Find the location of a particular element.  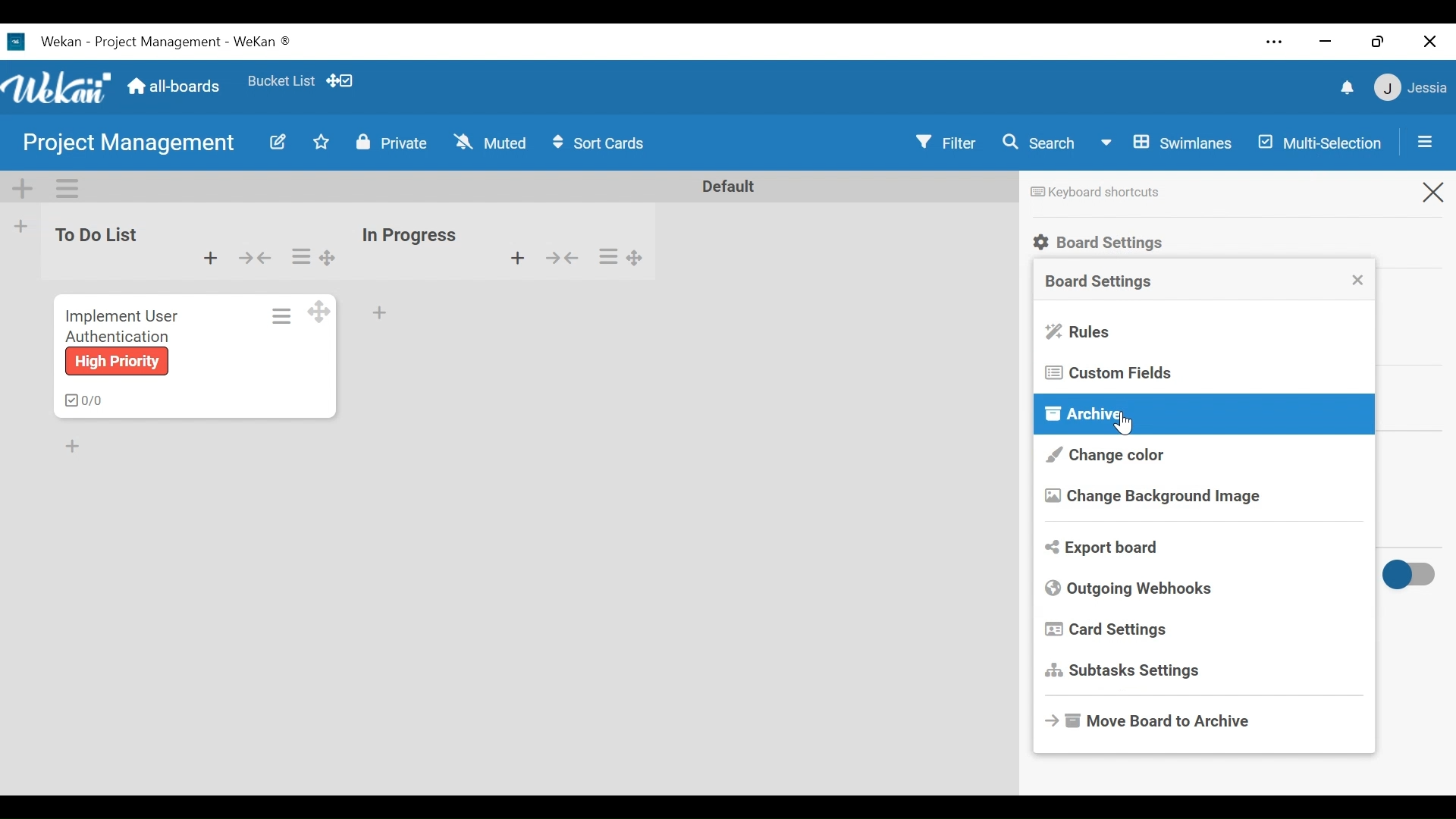

wekan -project management - wekan is located at coordinates (168, 39).